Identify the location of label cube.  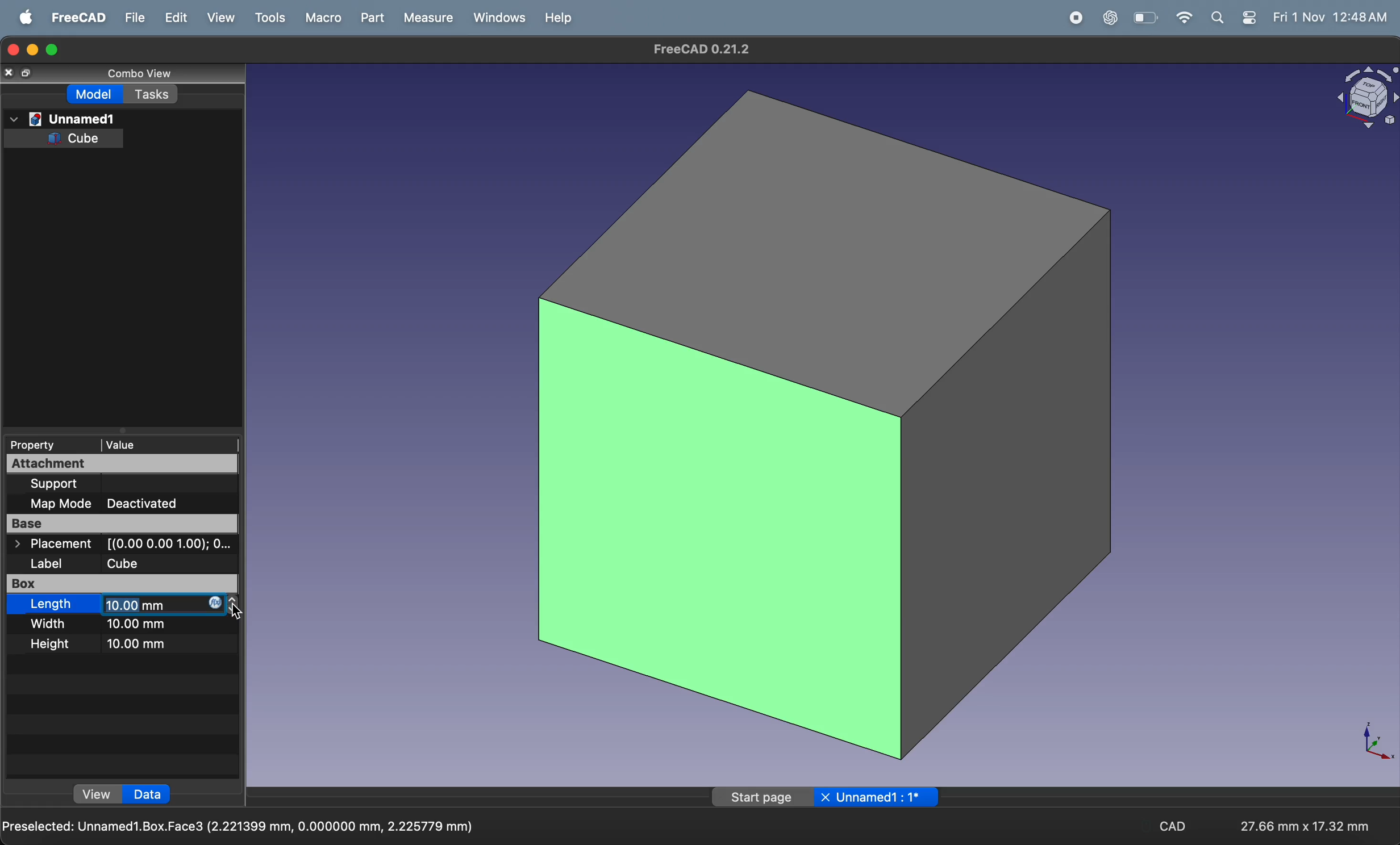
(105, 563).